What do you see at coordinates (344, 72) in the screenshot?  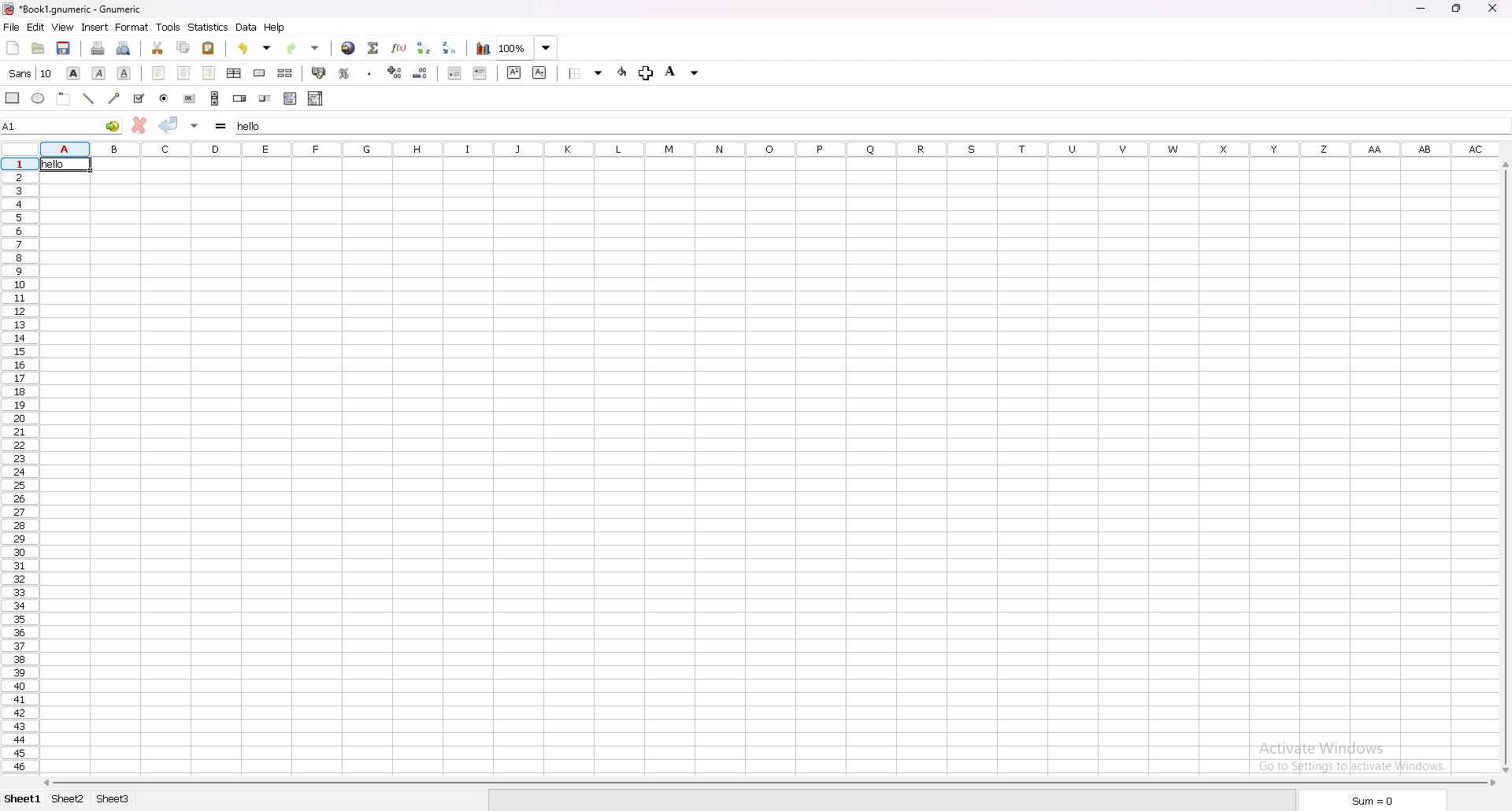 I see `percentage` at bounding box center [344, 72].